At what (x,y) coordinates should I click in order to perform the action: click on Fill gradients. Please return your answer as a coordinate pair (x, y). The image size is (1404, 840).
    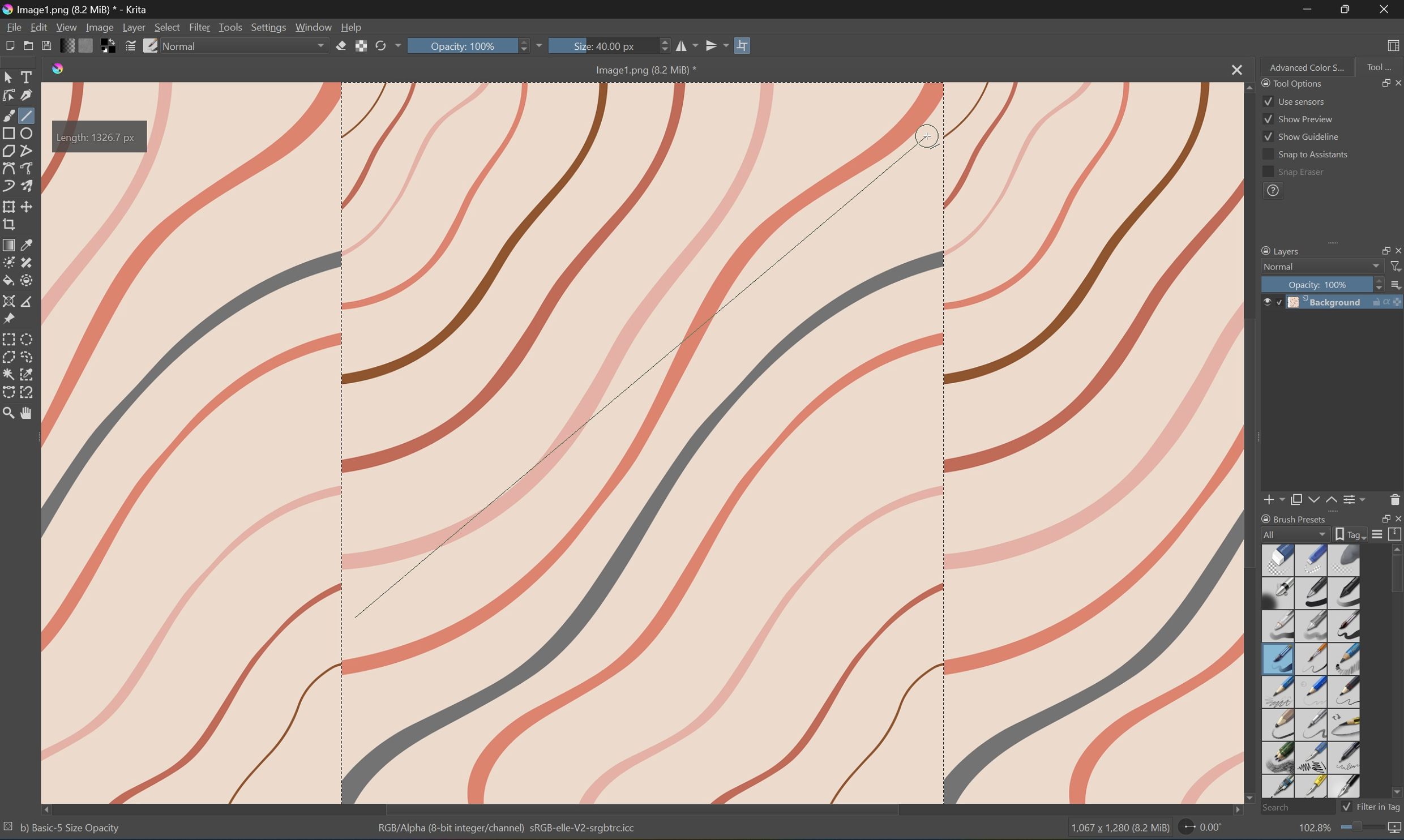
    Looking at the image, I should click on (70, 46).